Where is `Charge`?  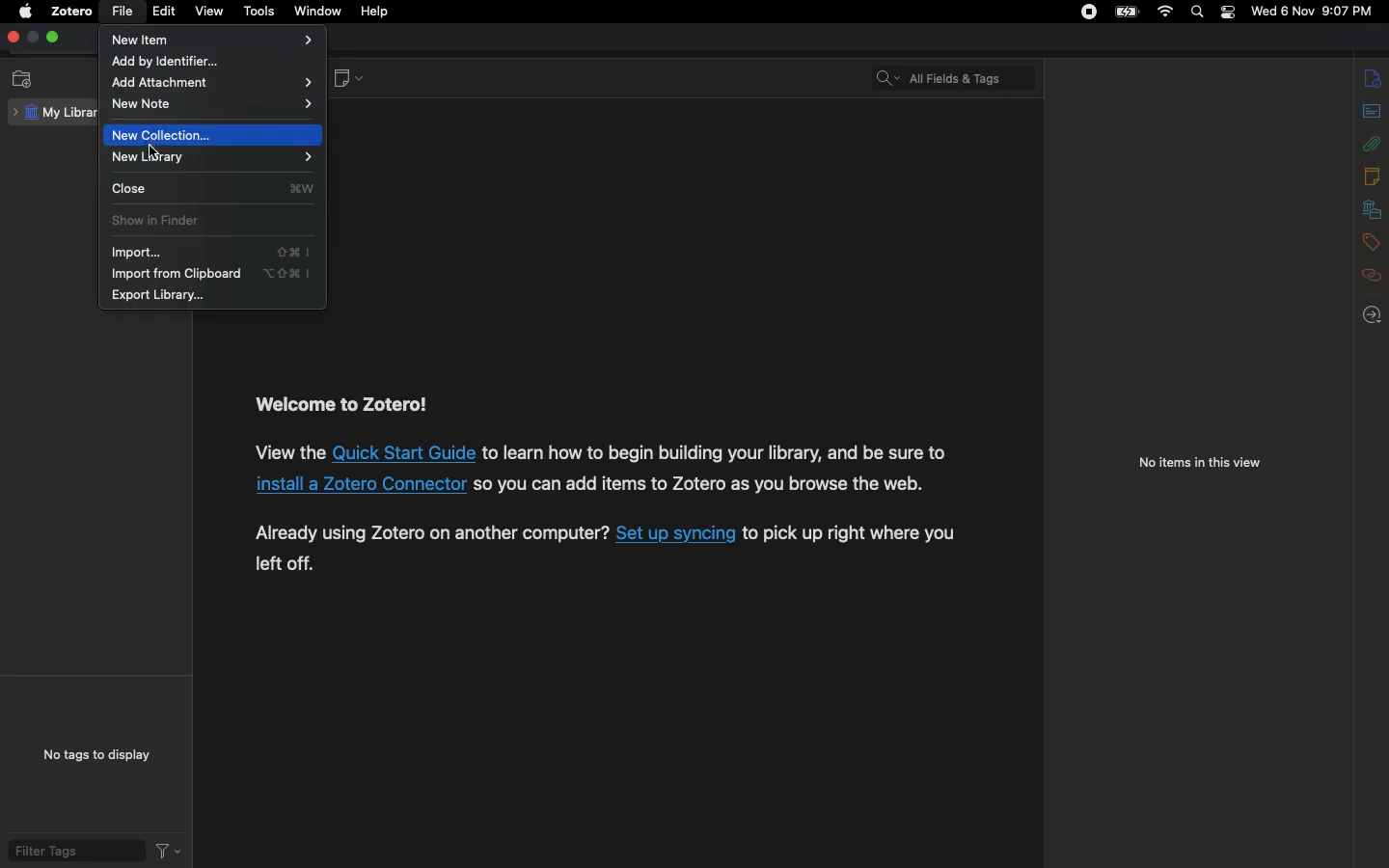 Charge is located at coordinates (1123, 12).